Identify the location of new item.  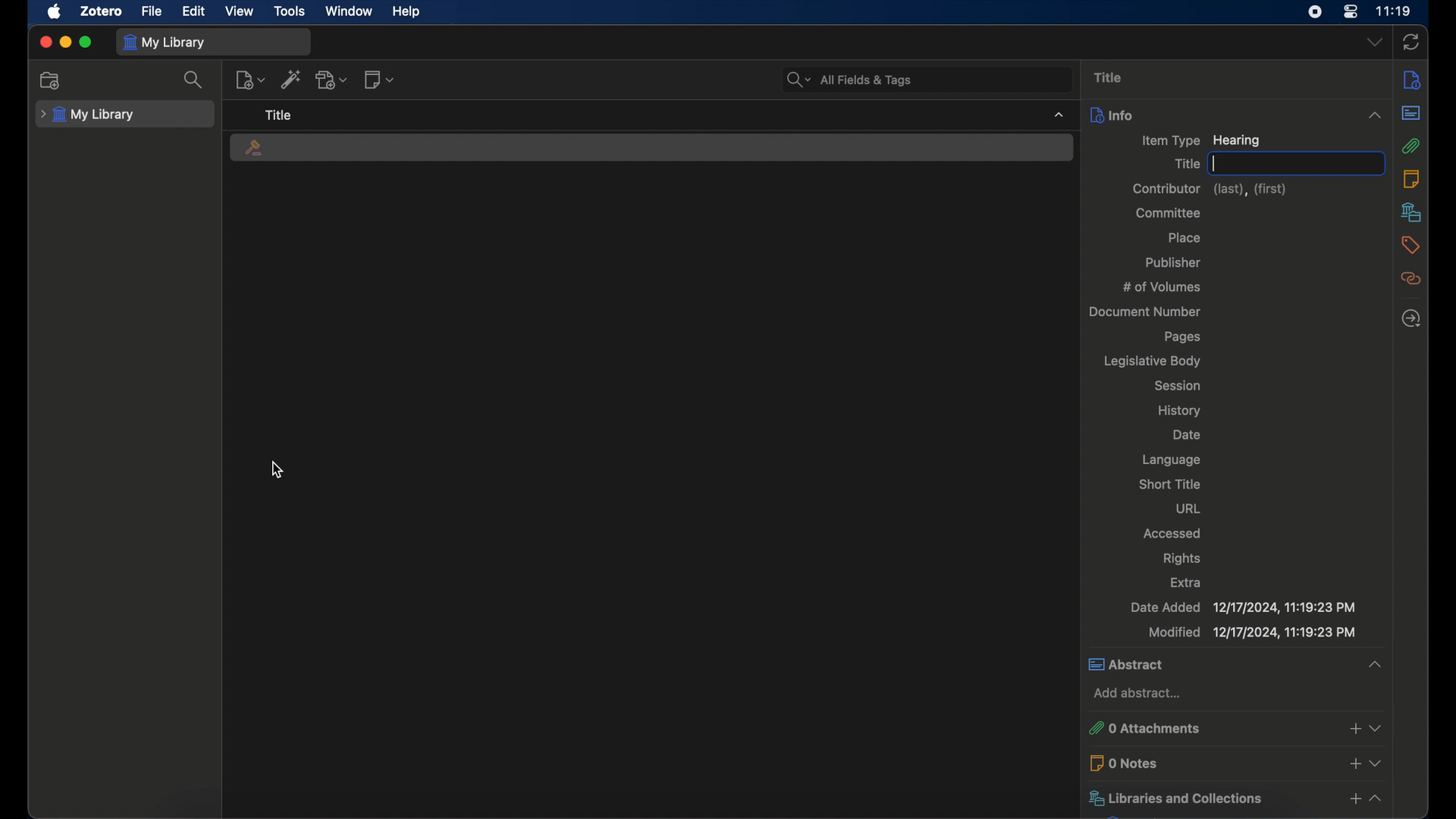
(251, 80).